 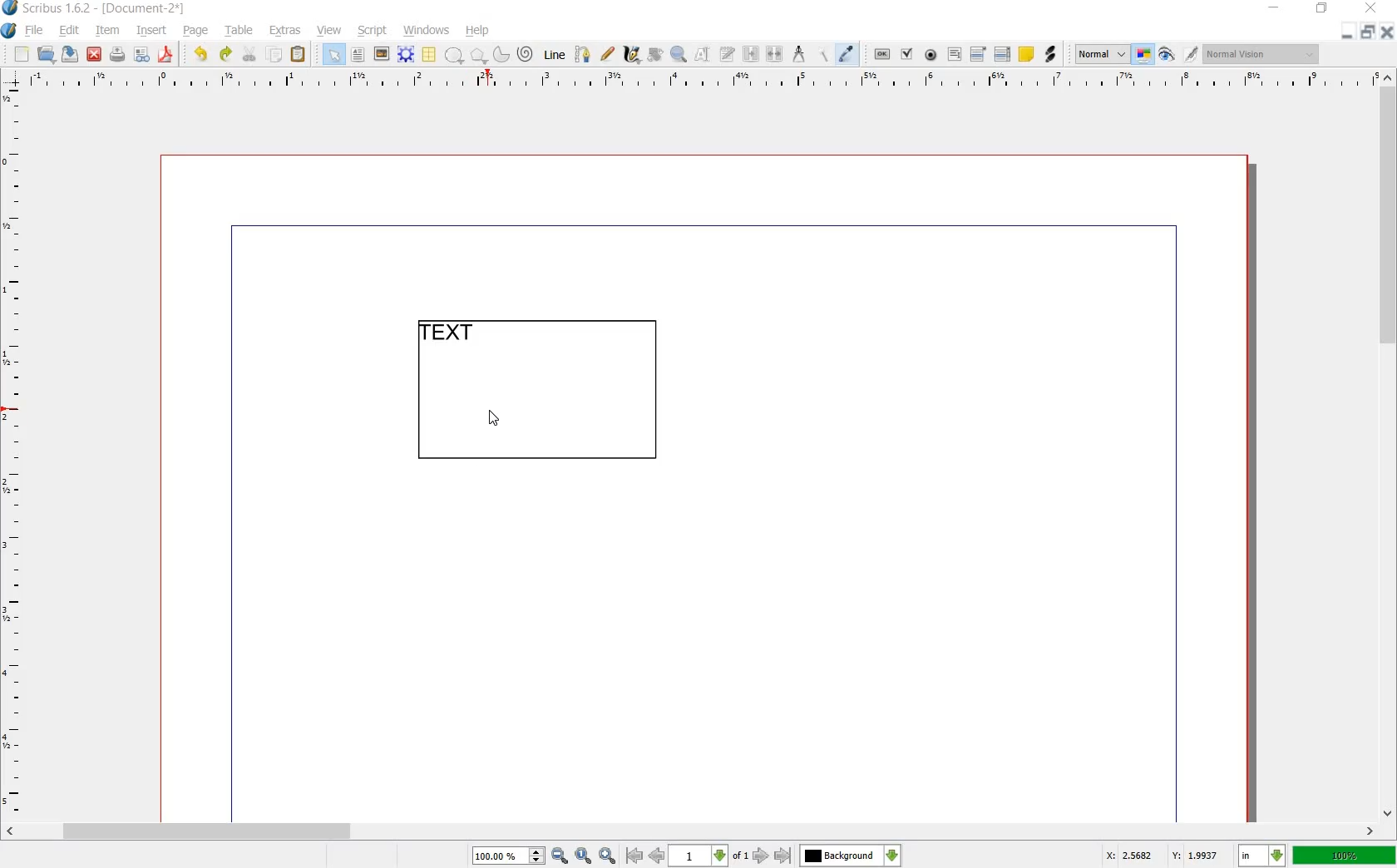 What do you see at coordinates (608, 856) in the screenshot?
I see `zoom in` at bounding box center [608, 856].